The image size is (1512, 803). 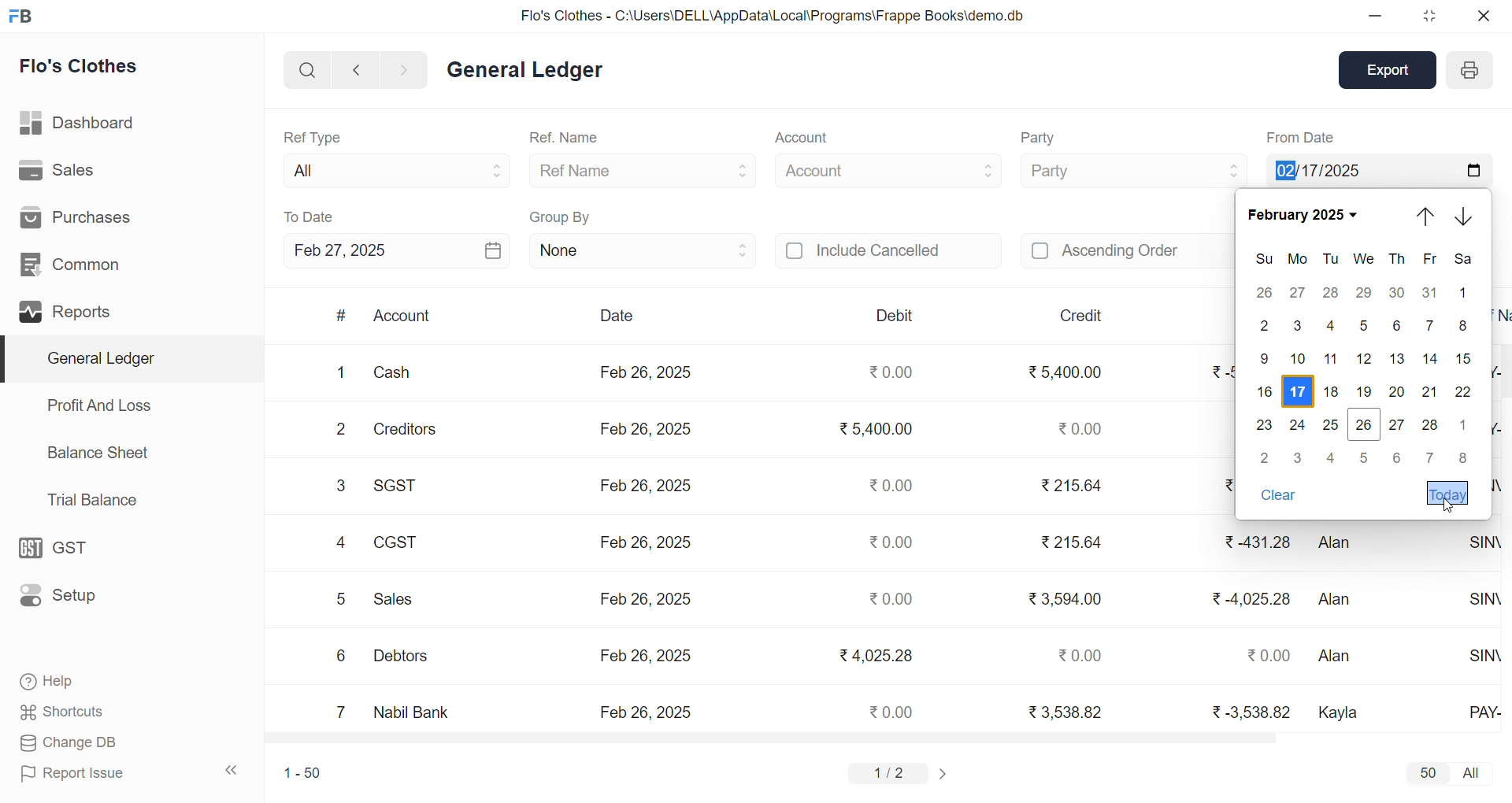 I want to click on Flo's Clothes, so click(x=80, y=66).